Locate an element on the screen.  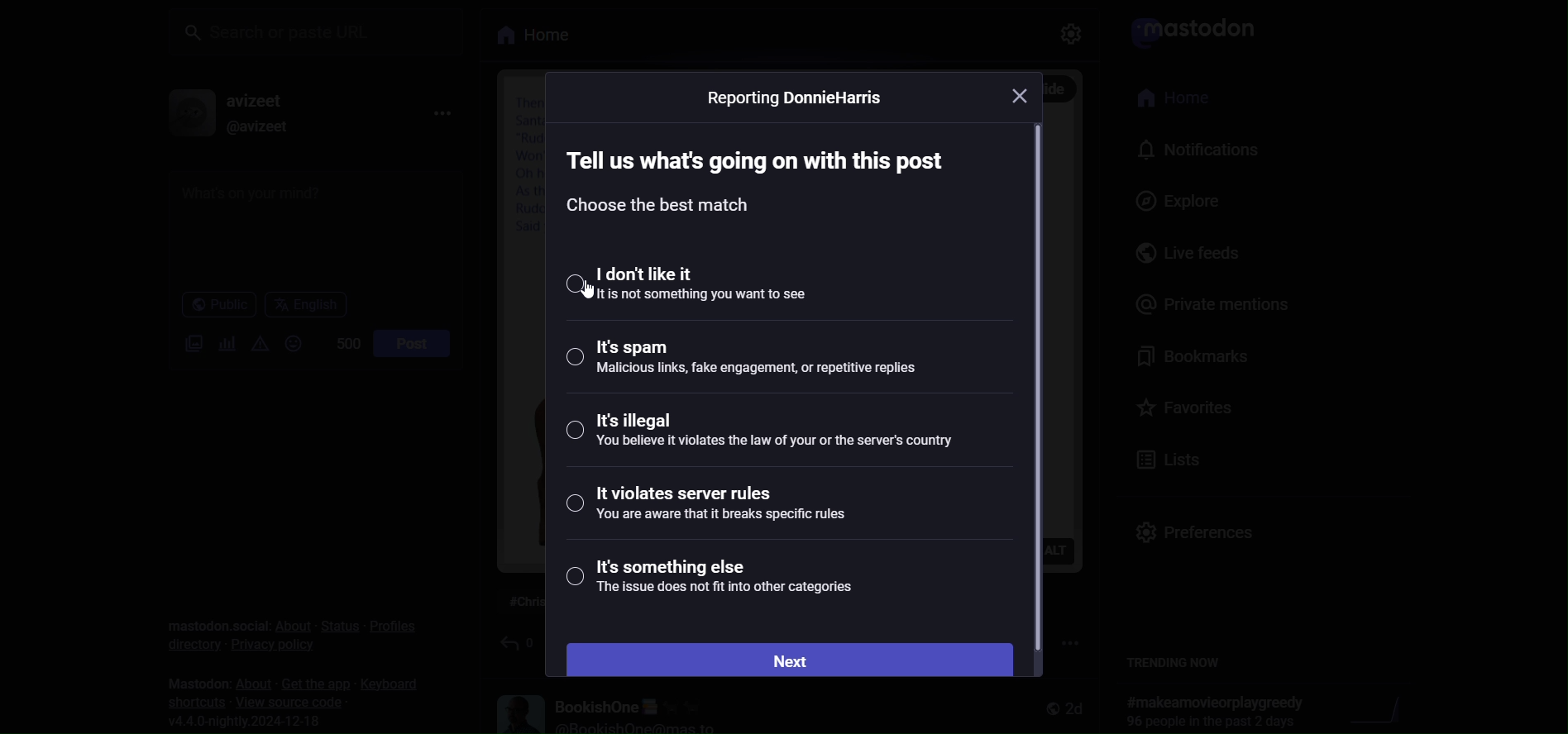
notification is located at coordinates (1192, 150).